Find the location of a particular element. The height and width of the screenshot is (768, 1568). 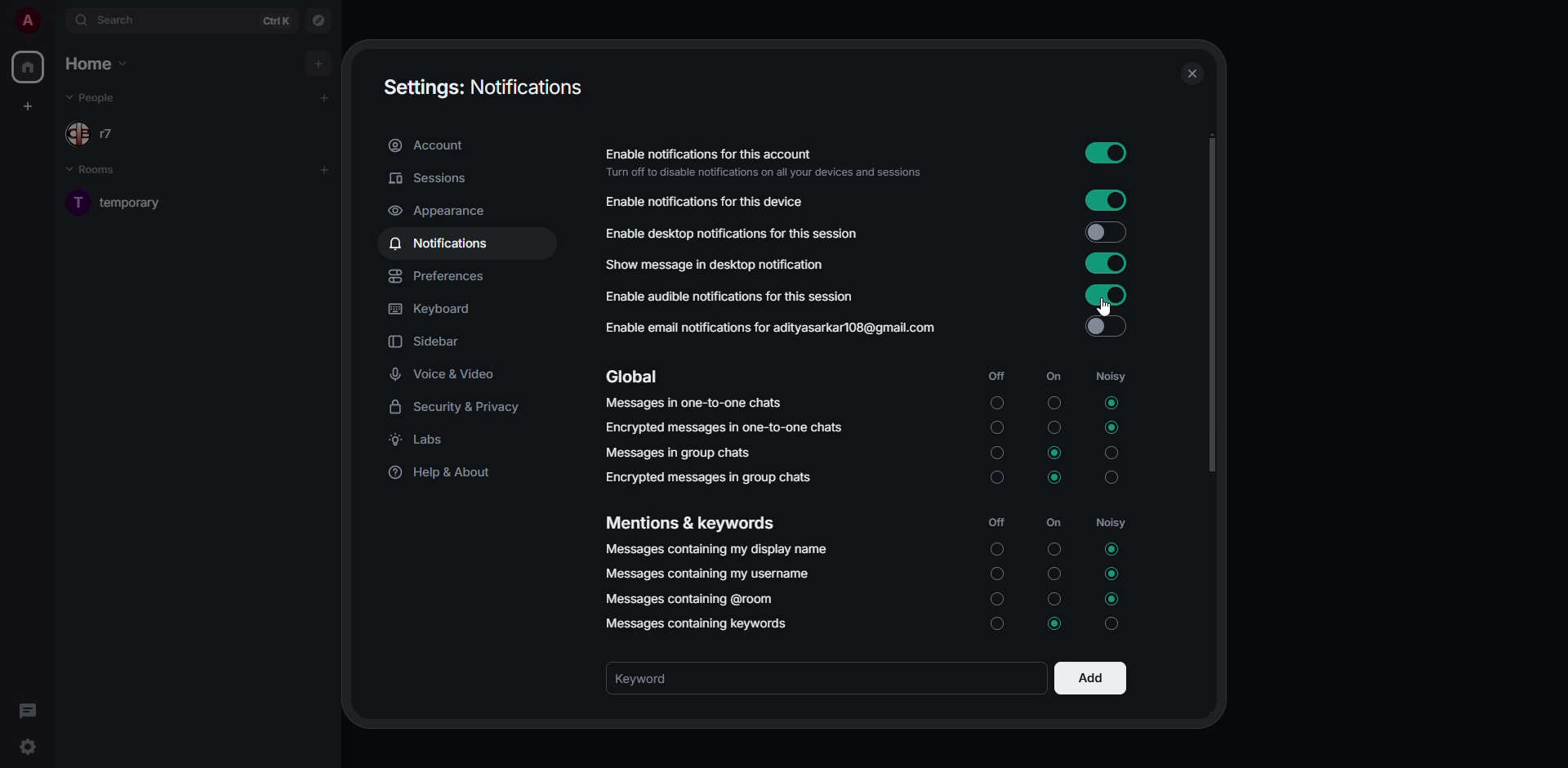

preferences is located at coordinates (439, 278).